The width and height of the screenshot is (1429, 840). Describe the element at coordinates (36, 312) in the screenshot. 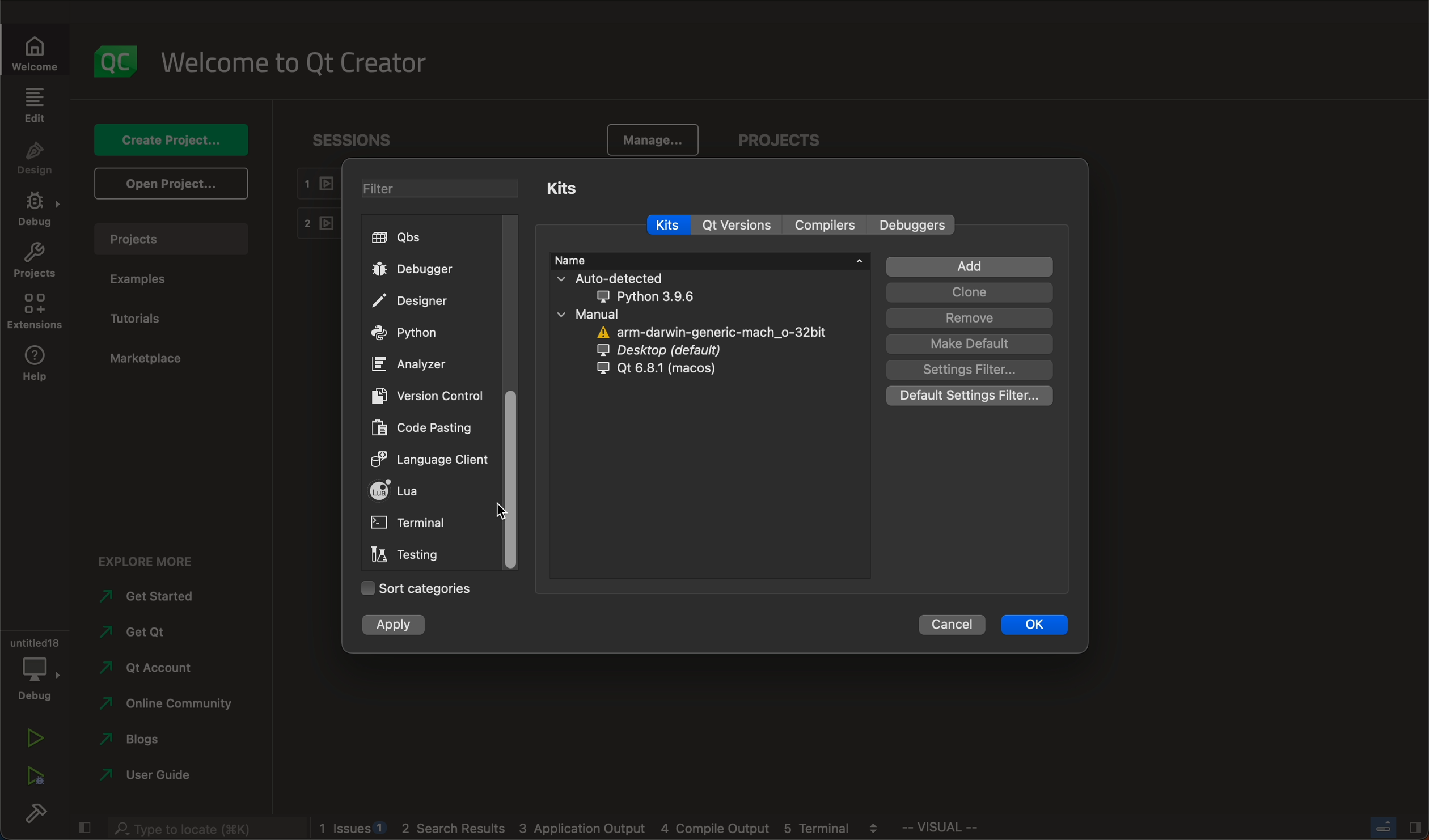

I see `extensions` at that location.